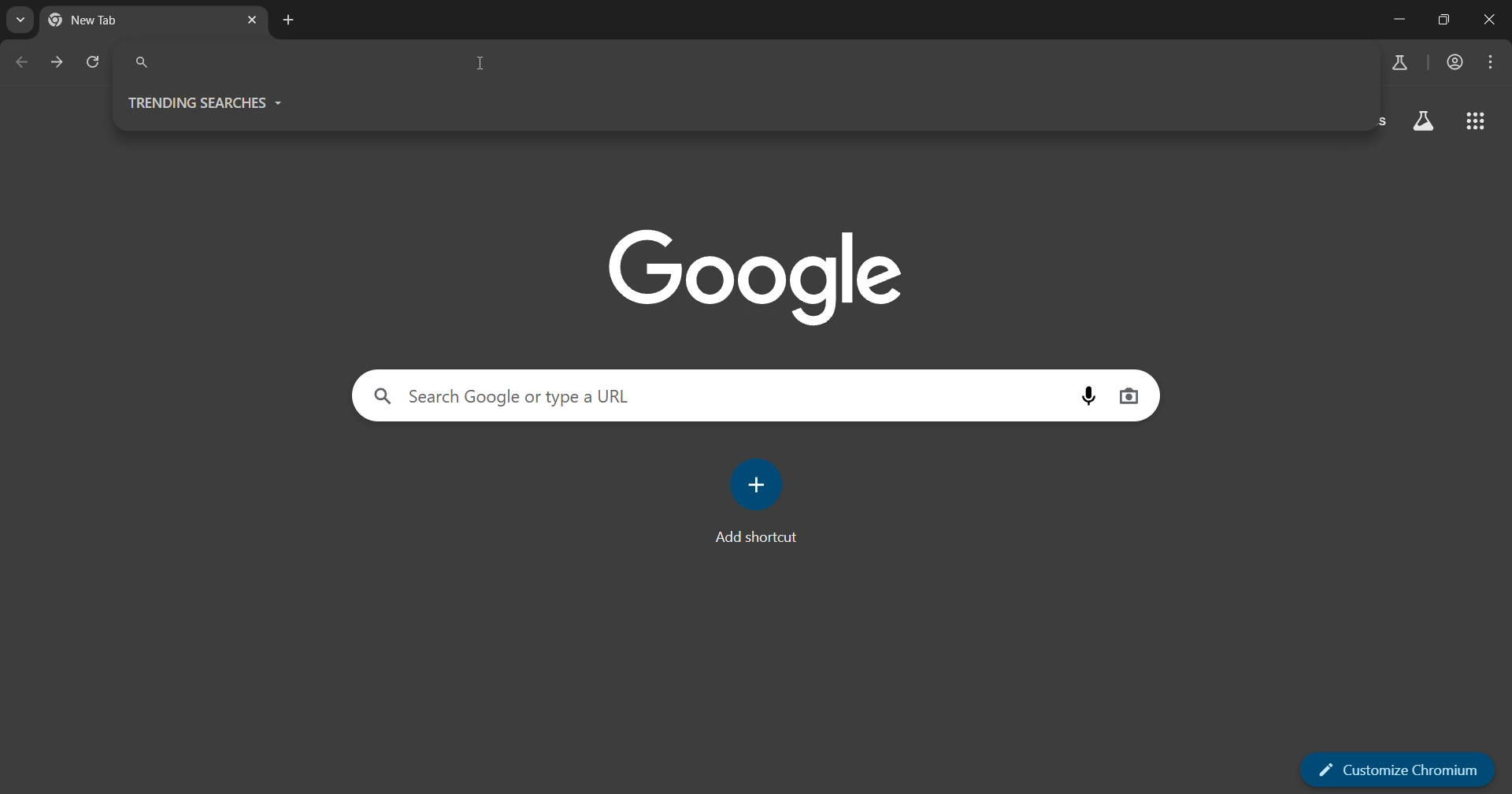 The image size is (1512, 794). What do you see at coordinates (119, 21) in the screenshot?
I see `new tab` at bounding box center [119, 21].